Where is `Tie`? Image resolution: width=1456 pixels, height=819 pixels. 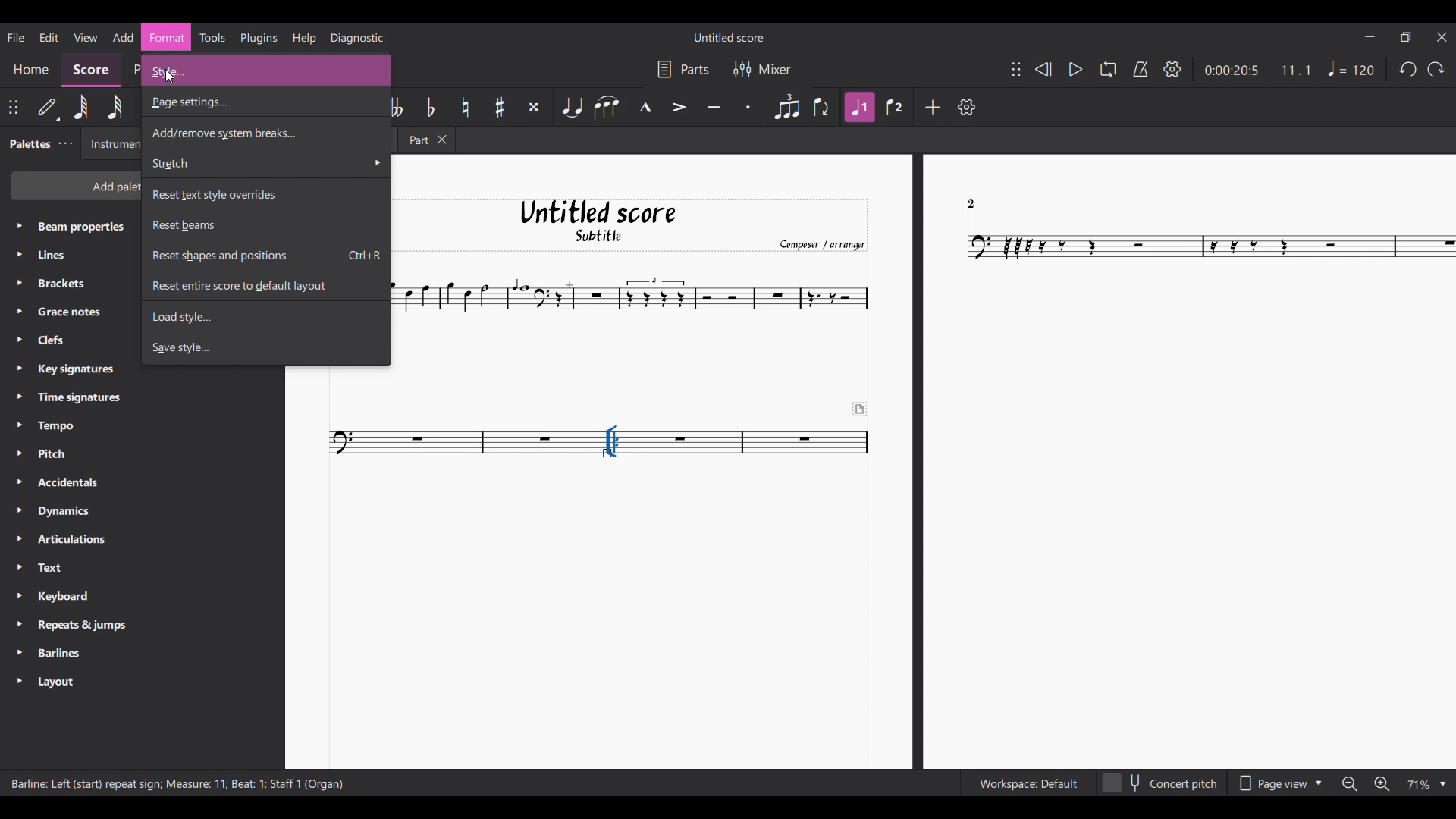 Tie is located at coordinates (571, 106).